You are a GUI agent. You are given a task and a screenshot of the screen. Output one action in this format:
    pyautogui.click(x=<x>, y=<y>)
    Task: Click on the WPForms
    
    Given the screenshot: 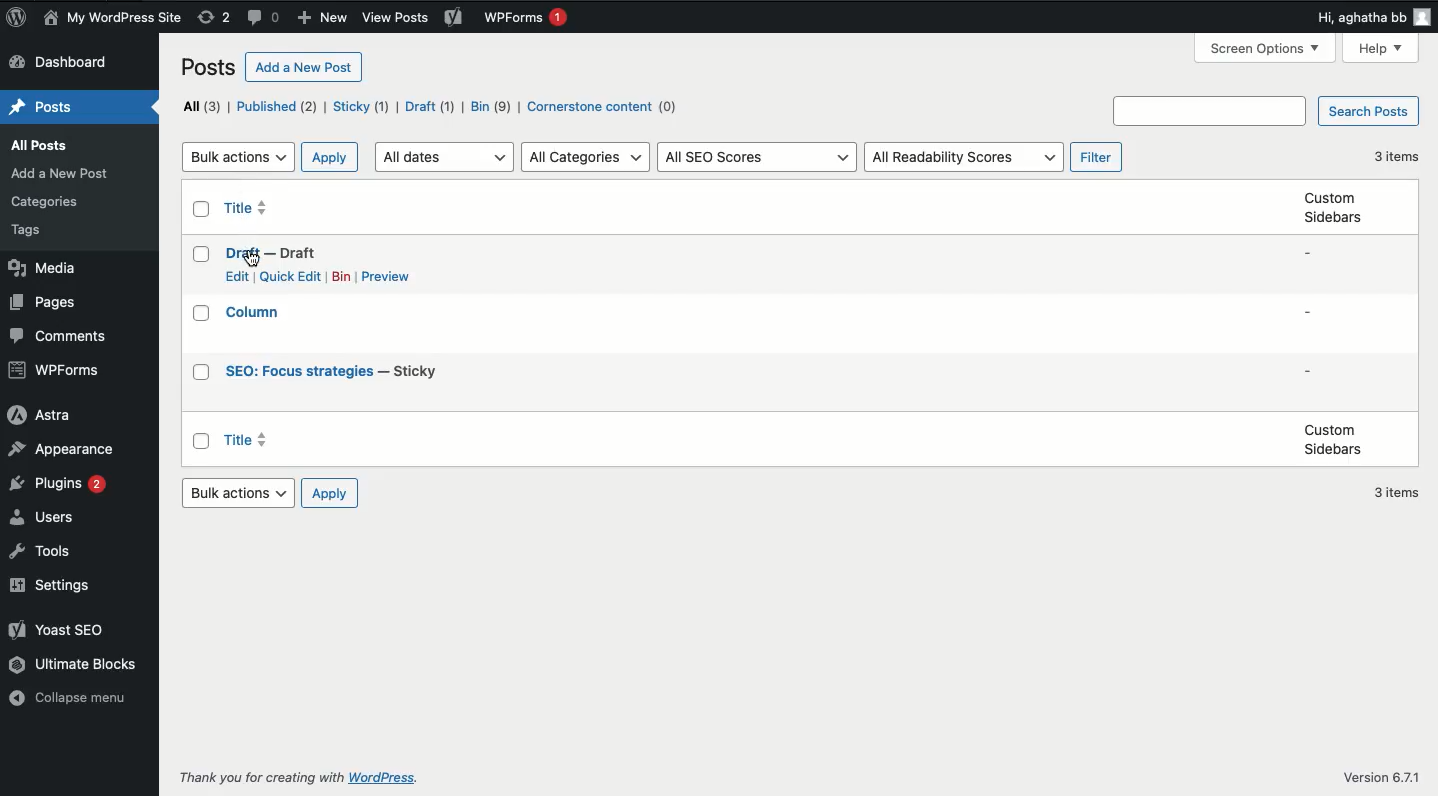 What is the action you would take?
    pyautogui.click(x=528, y=17)
    